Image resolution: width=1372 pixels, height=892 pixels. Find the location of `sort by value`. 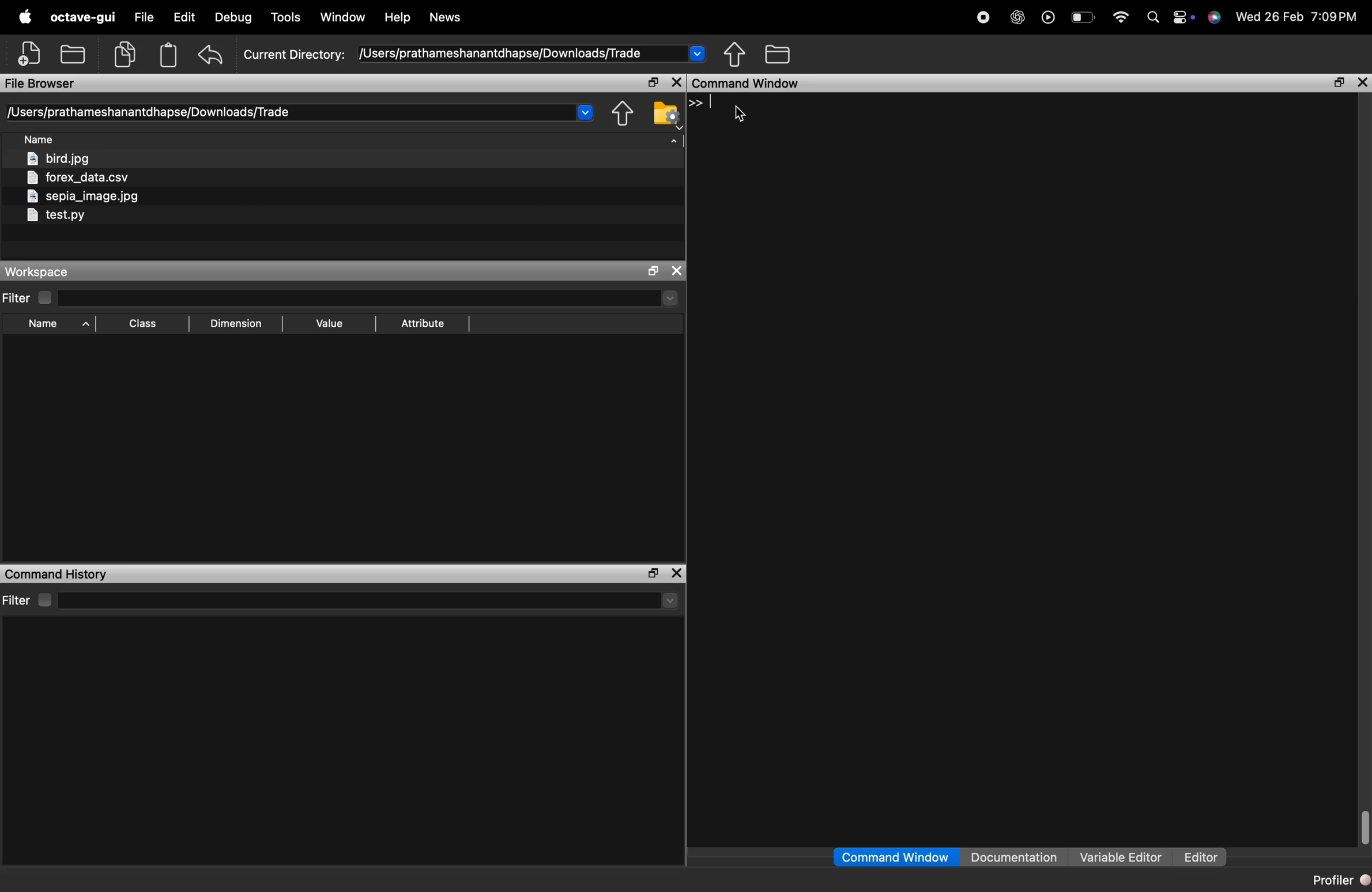

sort by value is located at coordinates (326, 323).